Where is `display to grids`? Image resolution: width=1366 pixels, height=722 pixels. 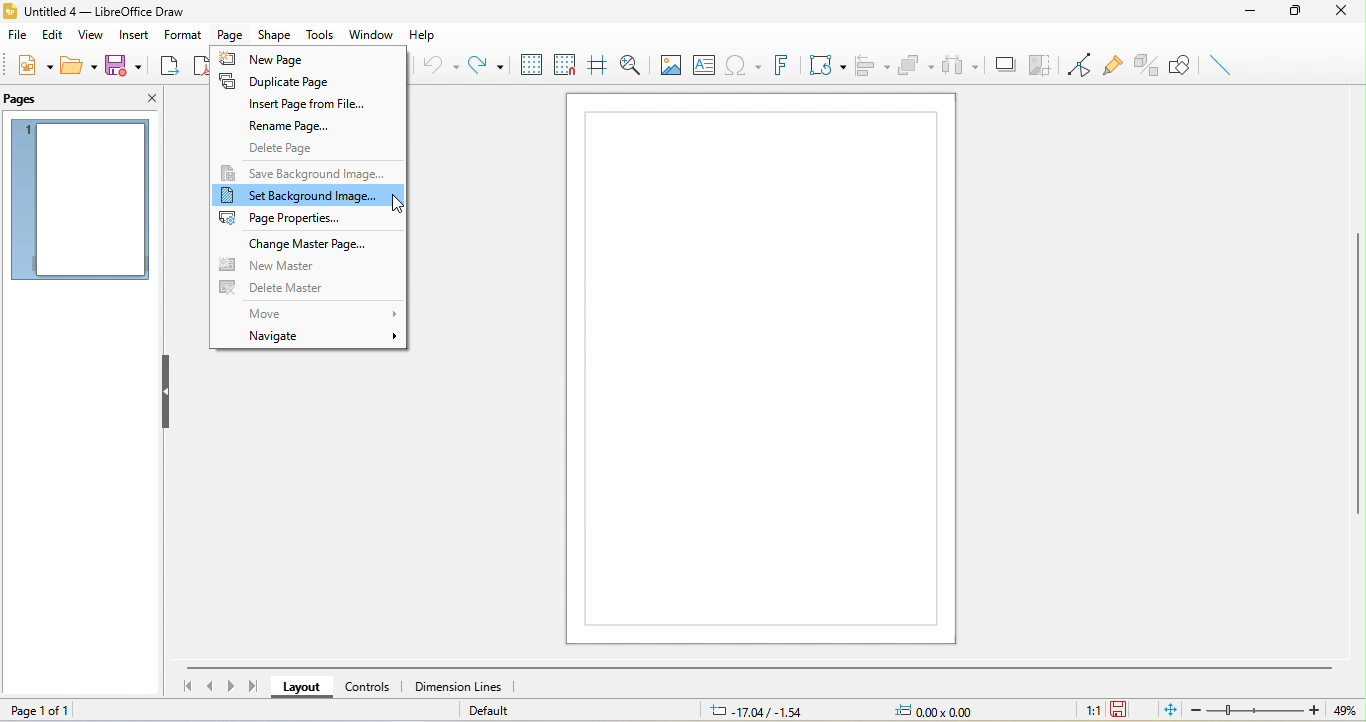 display to grids is located at coordinates (532, 64).